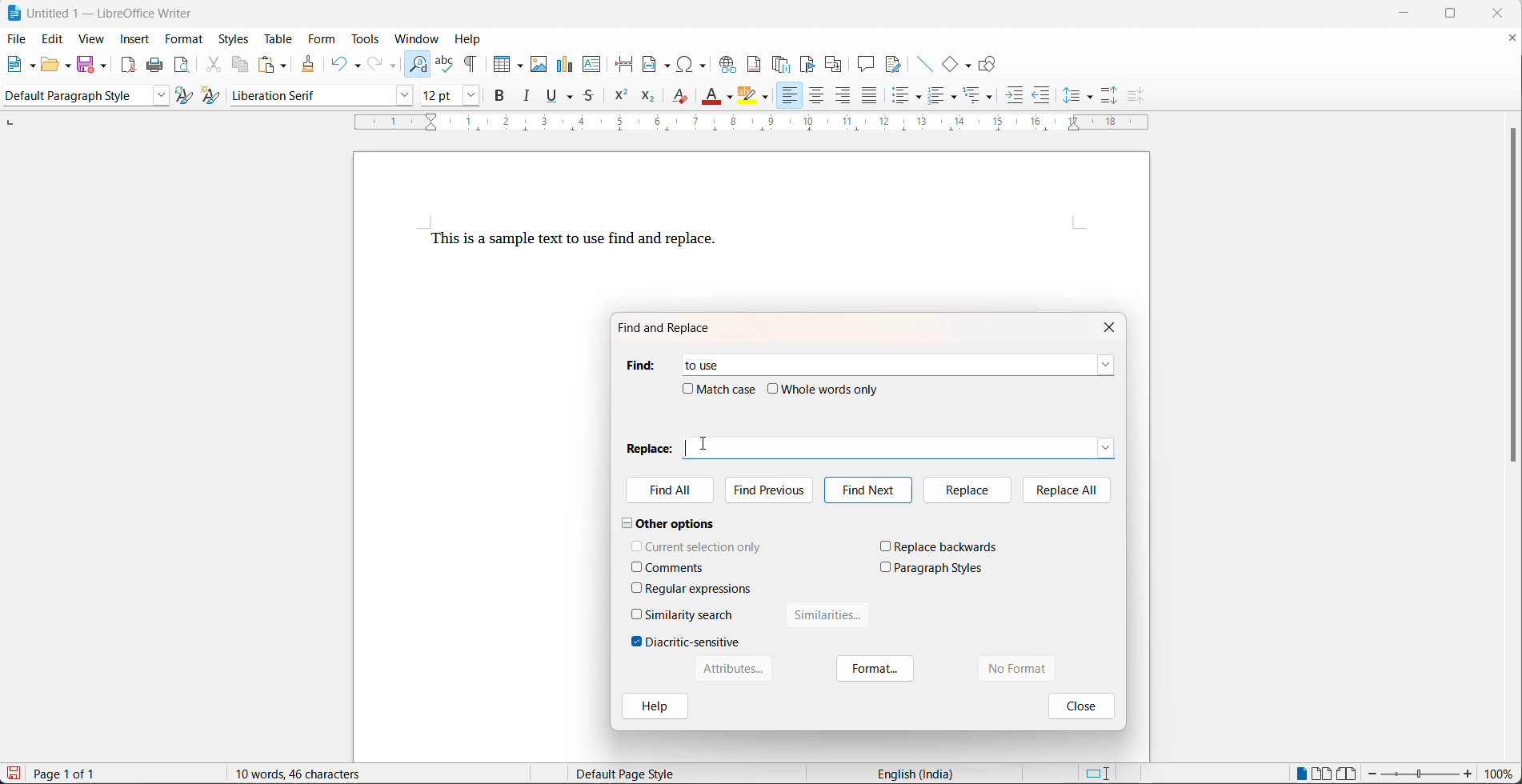  I want to click on file, so click(18, 38).